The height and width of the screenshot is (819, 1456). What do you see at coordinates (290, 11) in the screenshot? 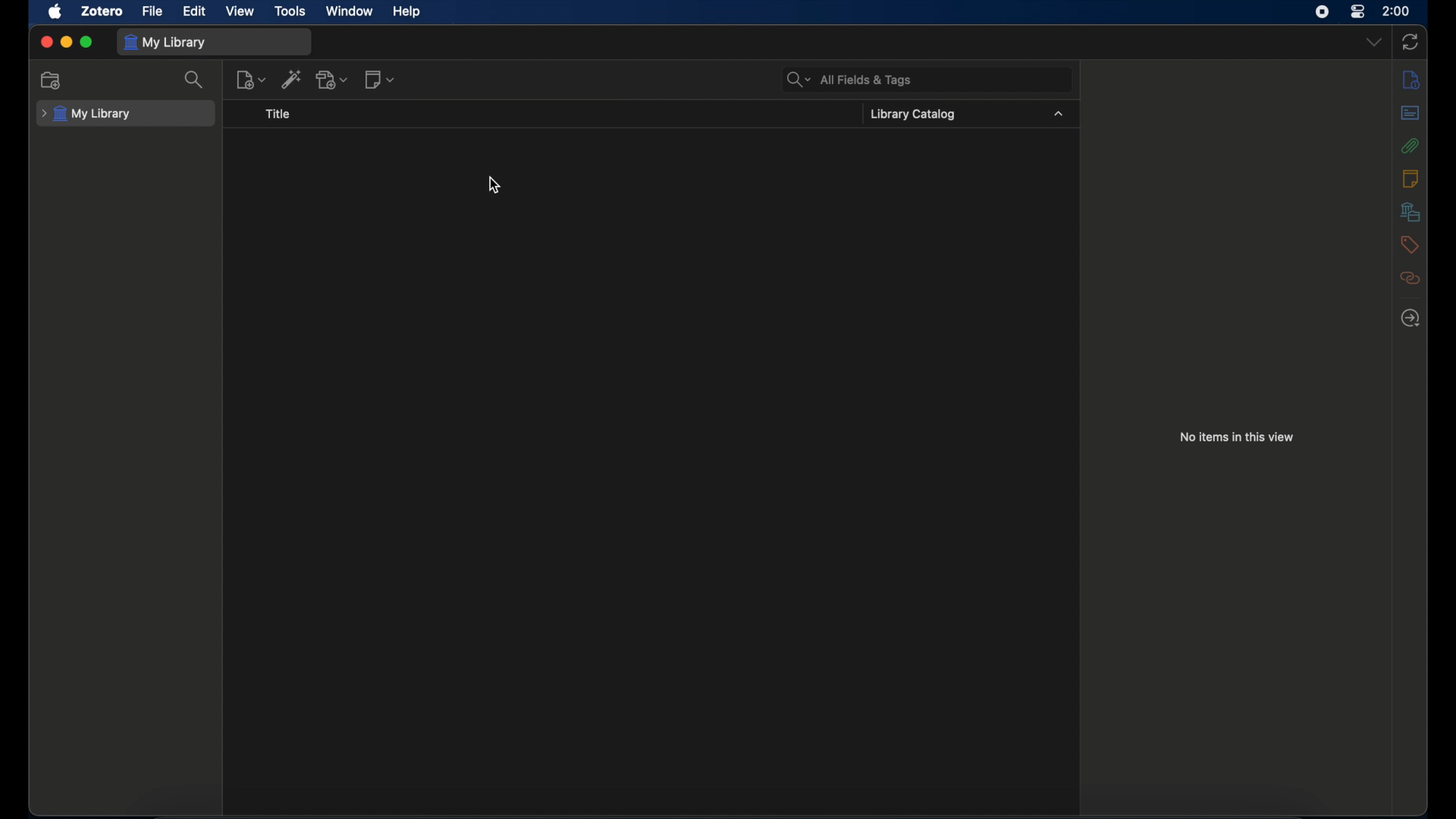
I see `tools` at bounding box center [290, 11].